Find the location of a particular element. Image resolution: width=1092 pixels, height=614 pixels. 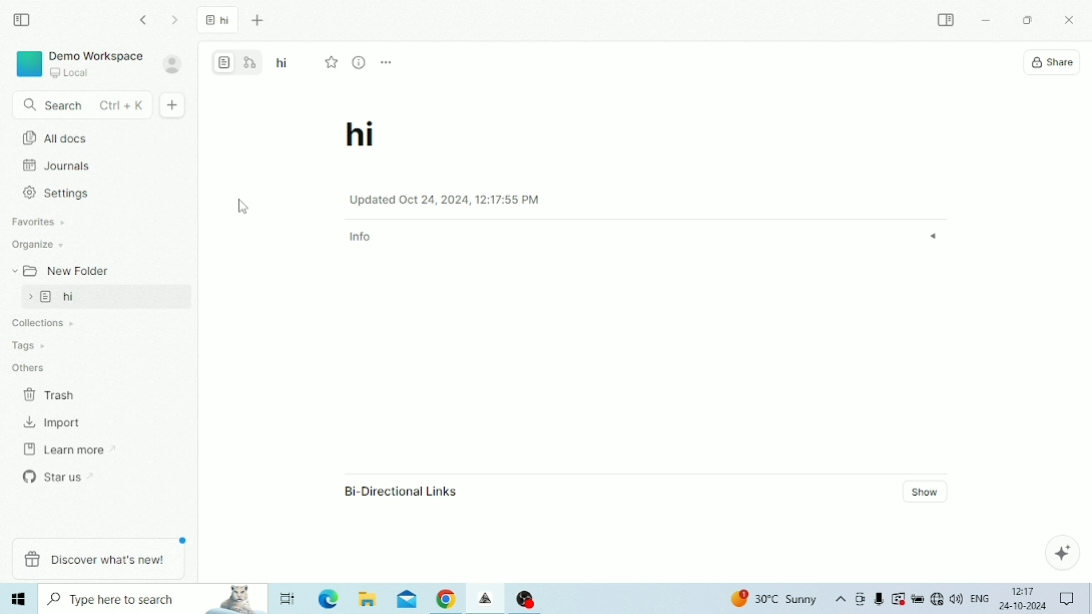

hi is located at coordinates (362, 138).